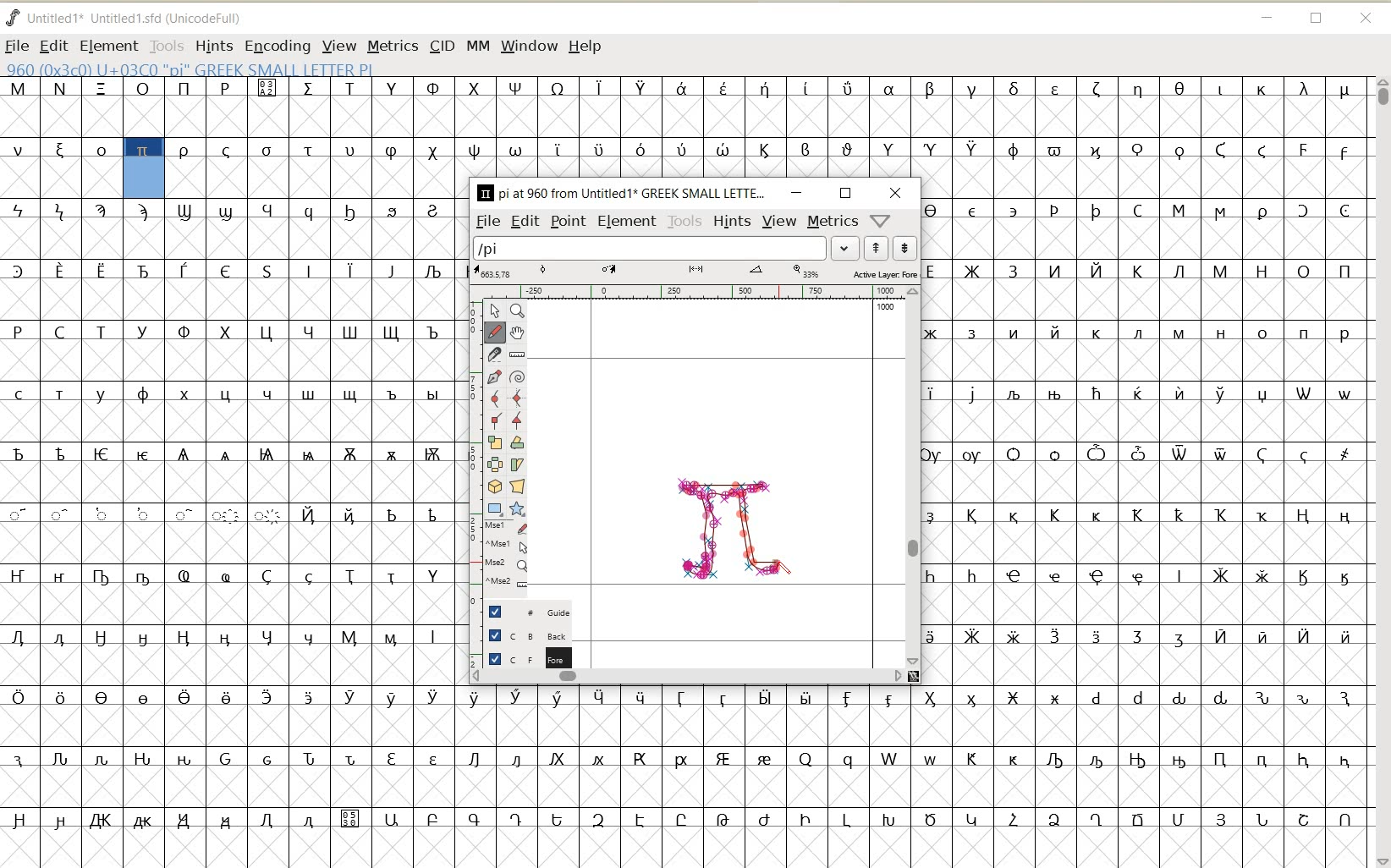 The width and height of the screenshot is (1391, 868). What do you see at coordinates (623, 191) in the screenshot?
I see `glyph name` at bounding box center [623, 191].